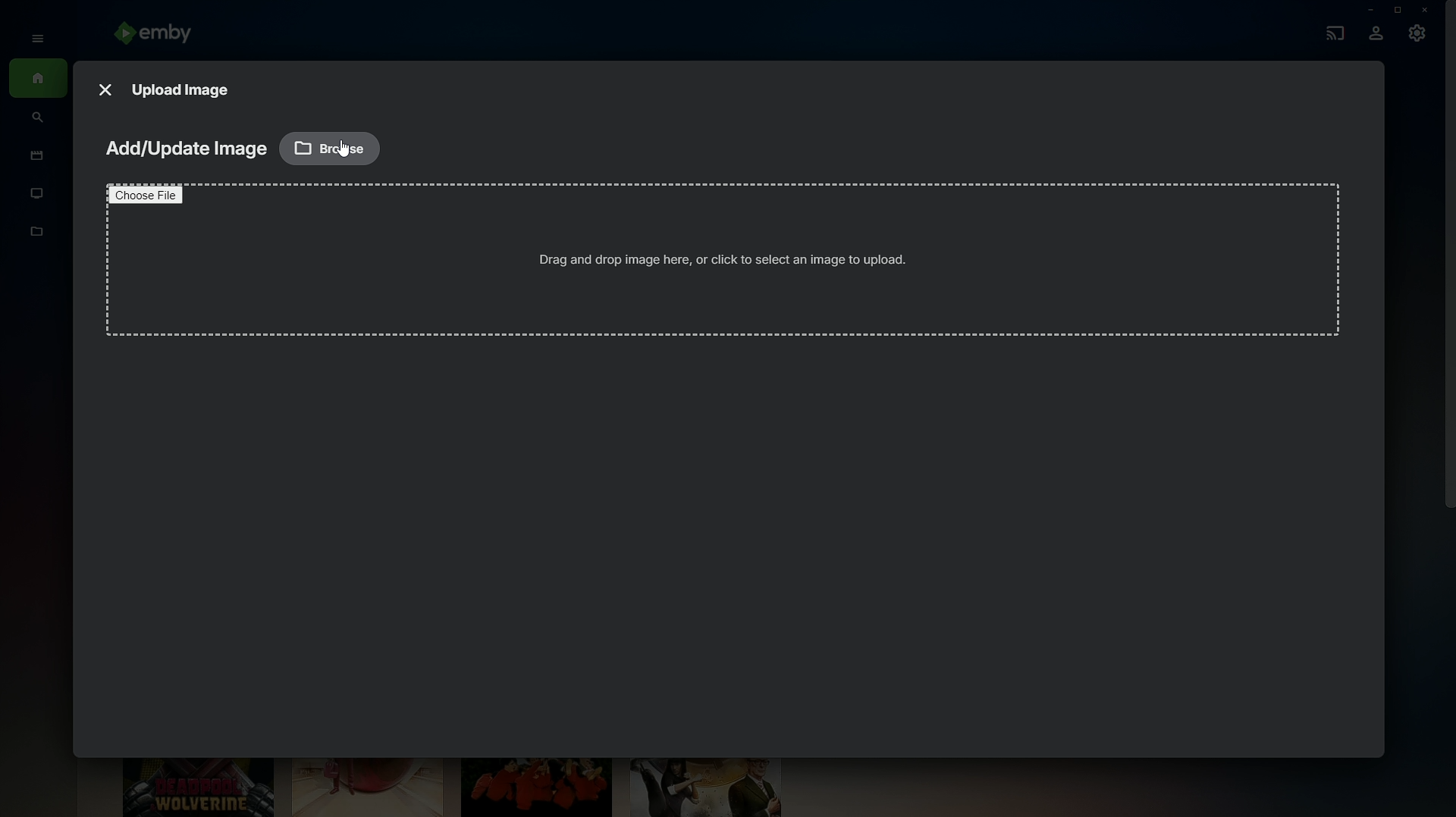 This screenshot has height=817, width=1456. Describe the element at coordinates (33, 37) in the screenshot. I see `Show menu` at that location.